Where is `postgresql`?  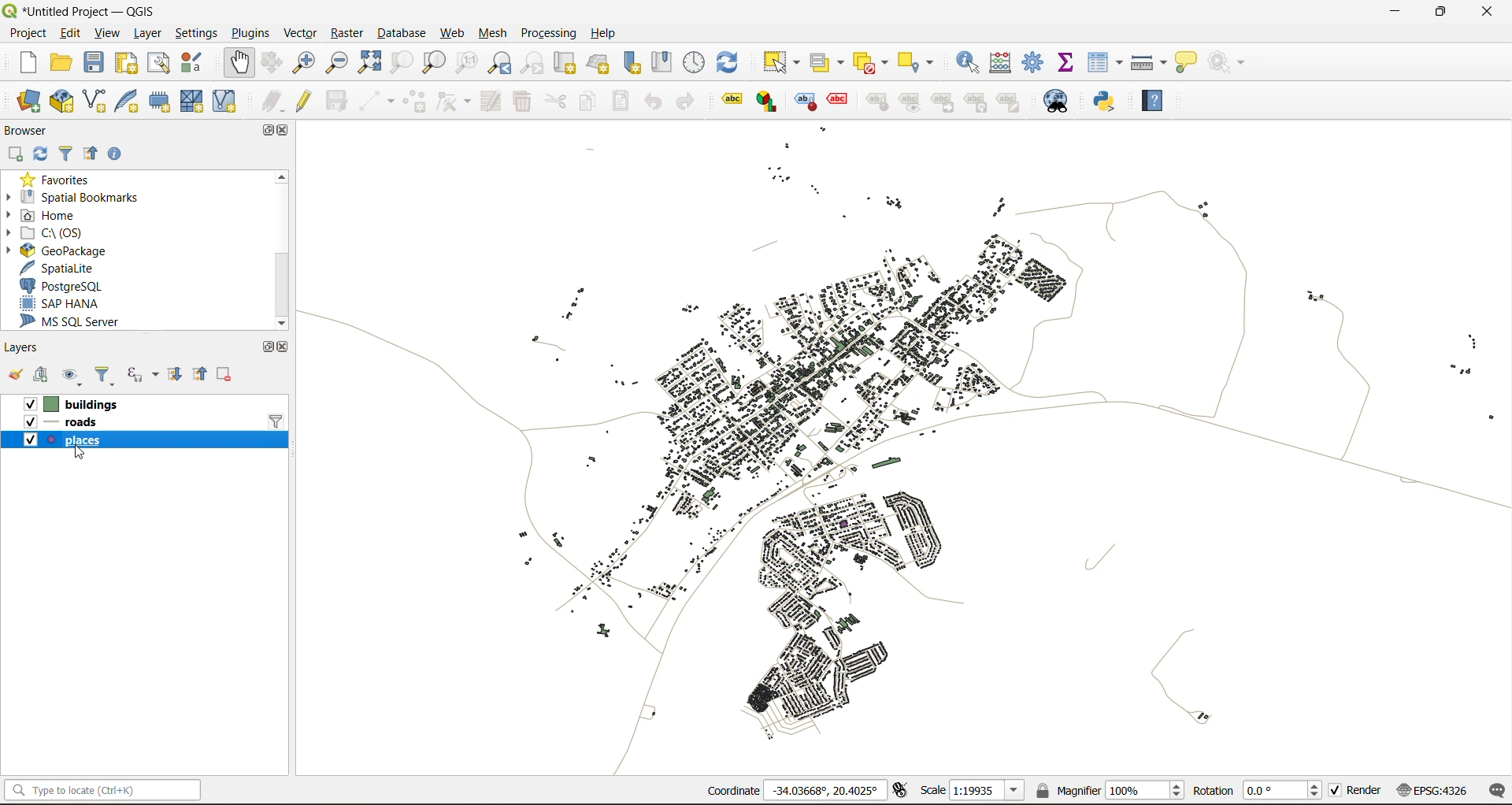
postgresql is located at coordinates (67, 287).